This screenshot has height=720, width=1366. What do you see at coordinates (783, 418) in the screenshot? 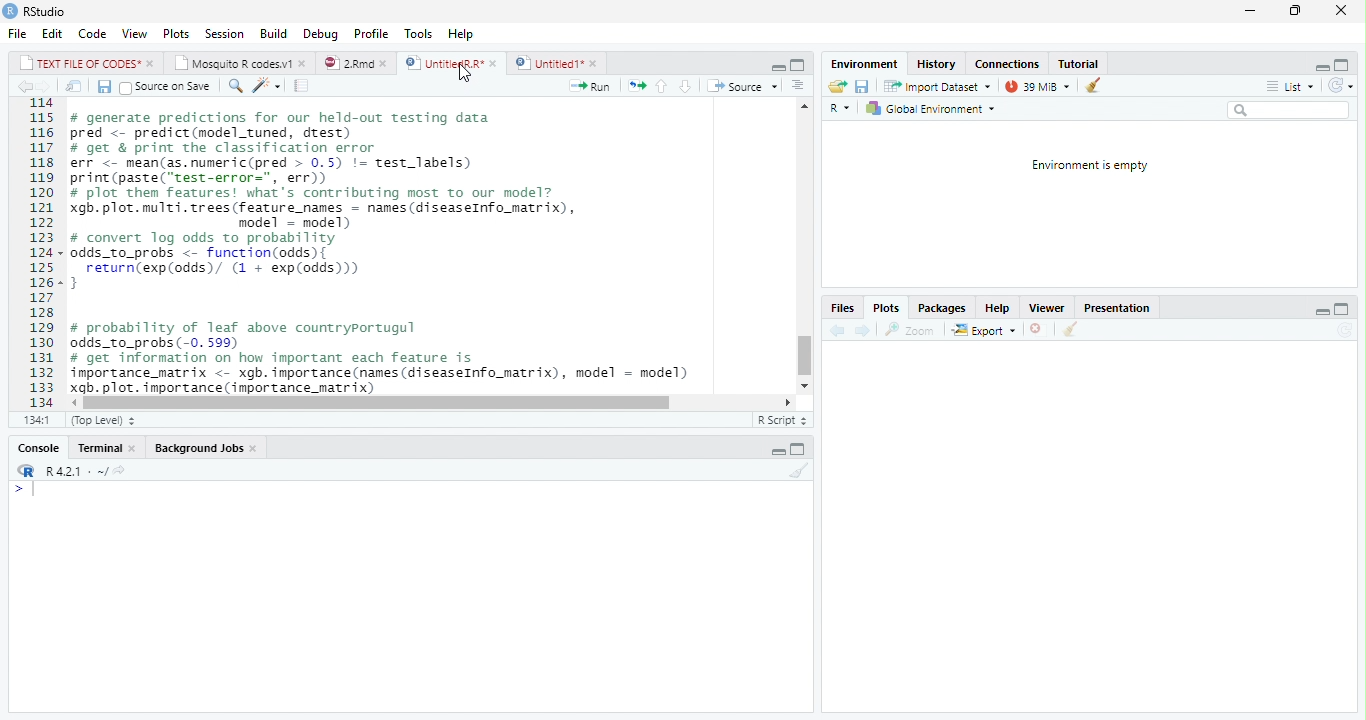
I see `R Script` at bounding box center [783, 418].